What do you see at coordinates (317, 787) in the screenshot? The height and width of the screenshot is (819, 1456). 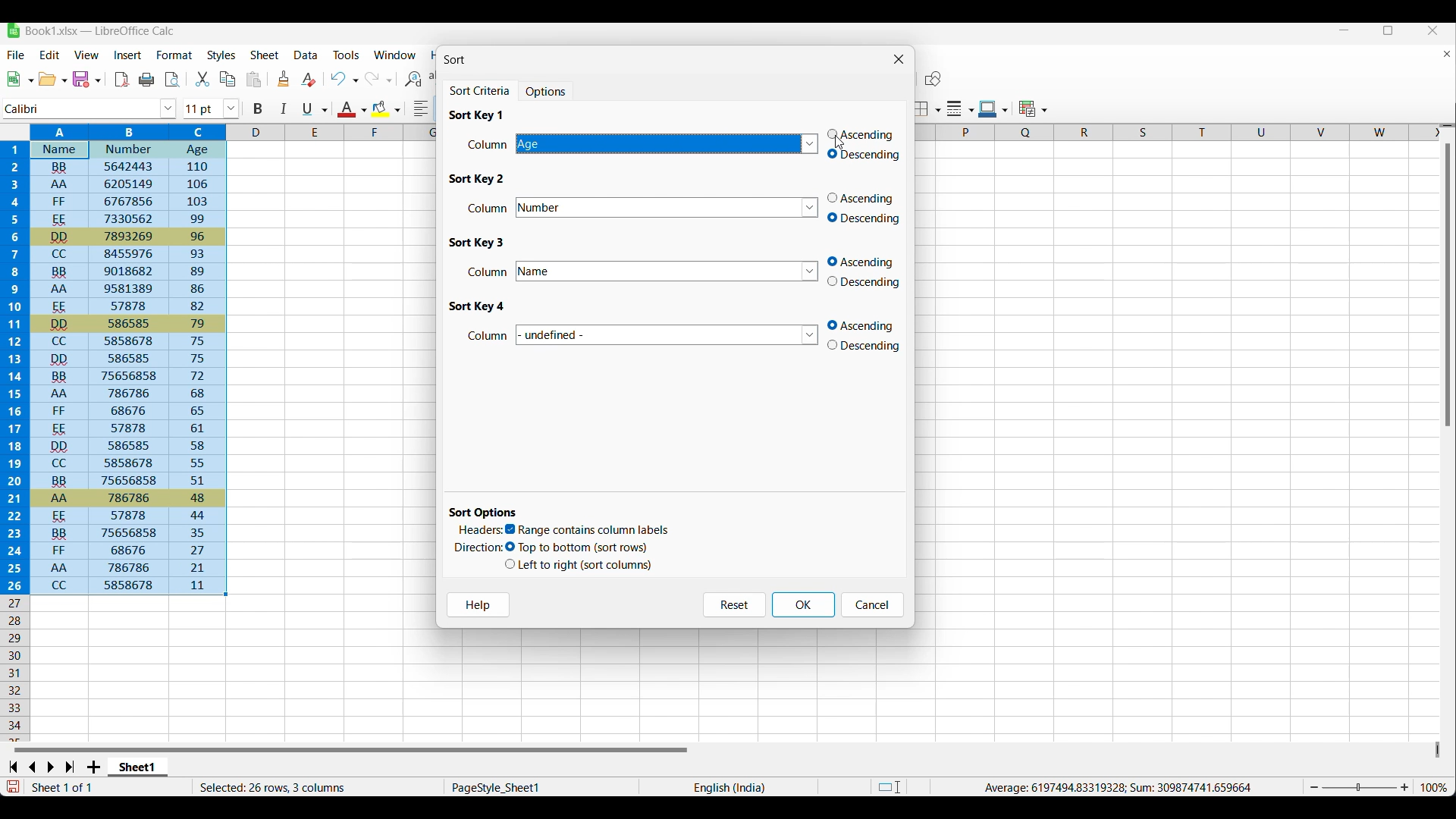 I see `Rows and columns in current selection` at bounding box center [317, 787].